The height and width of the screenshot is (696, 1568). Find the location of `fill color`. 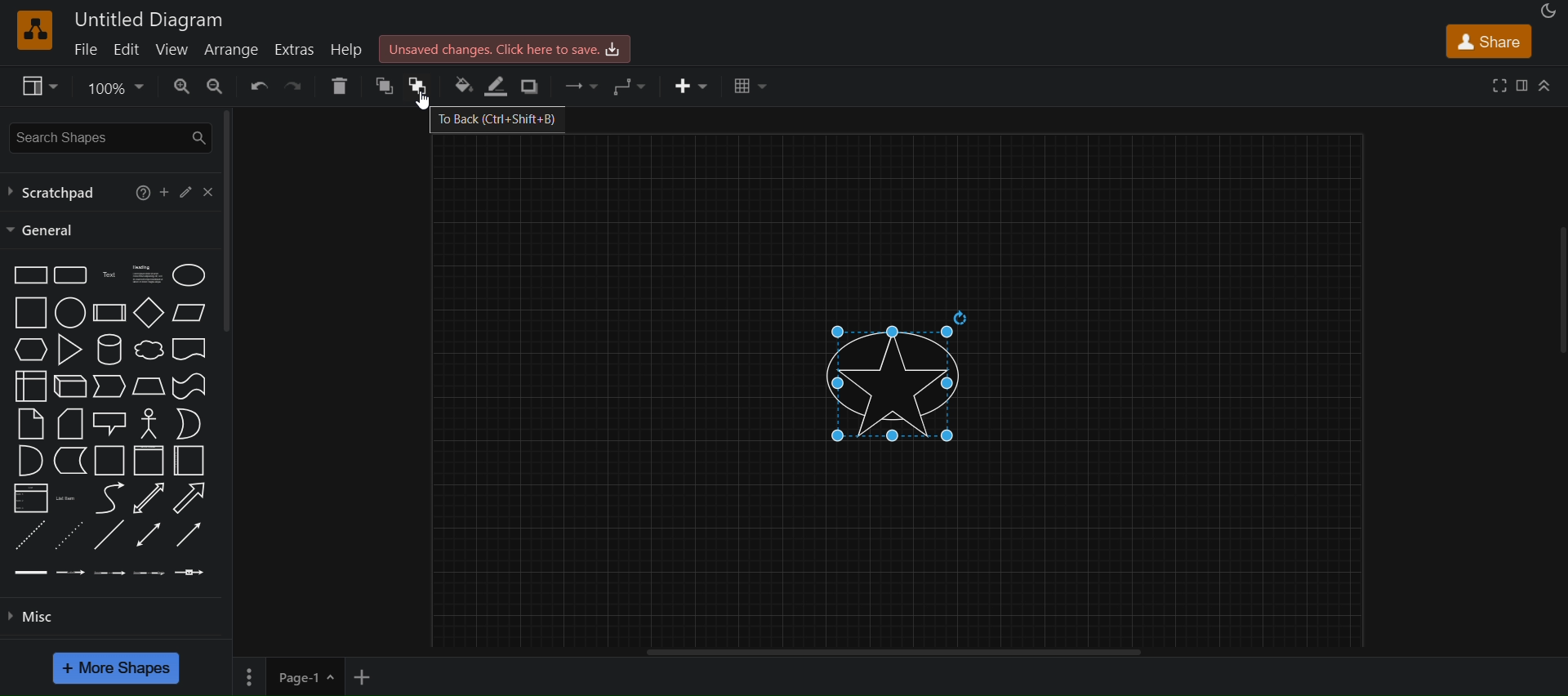

fill color is located at coordinates (462, 87).